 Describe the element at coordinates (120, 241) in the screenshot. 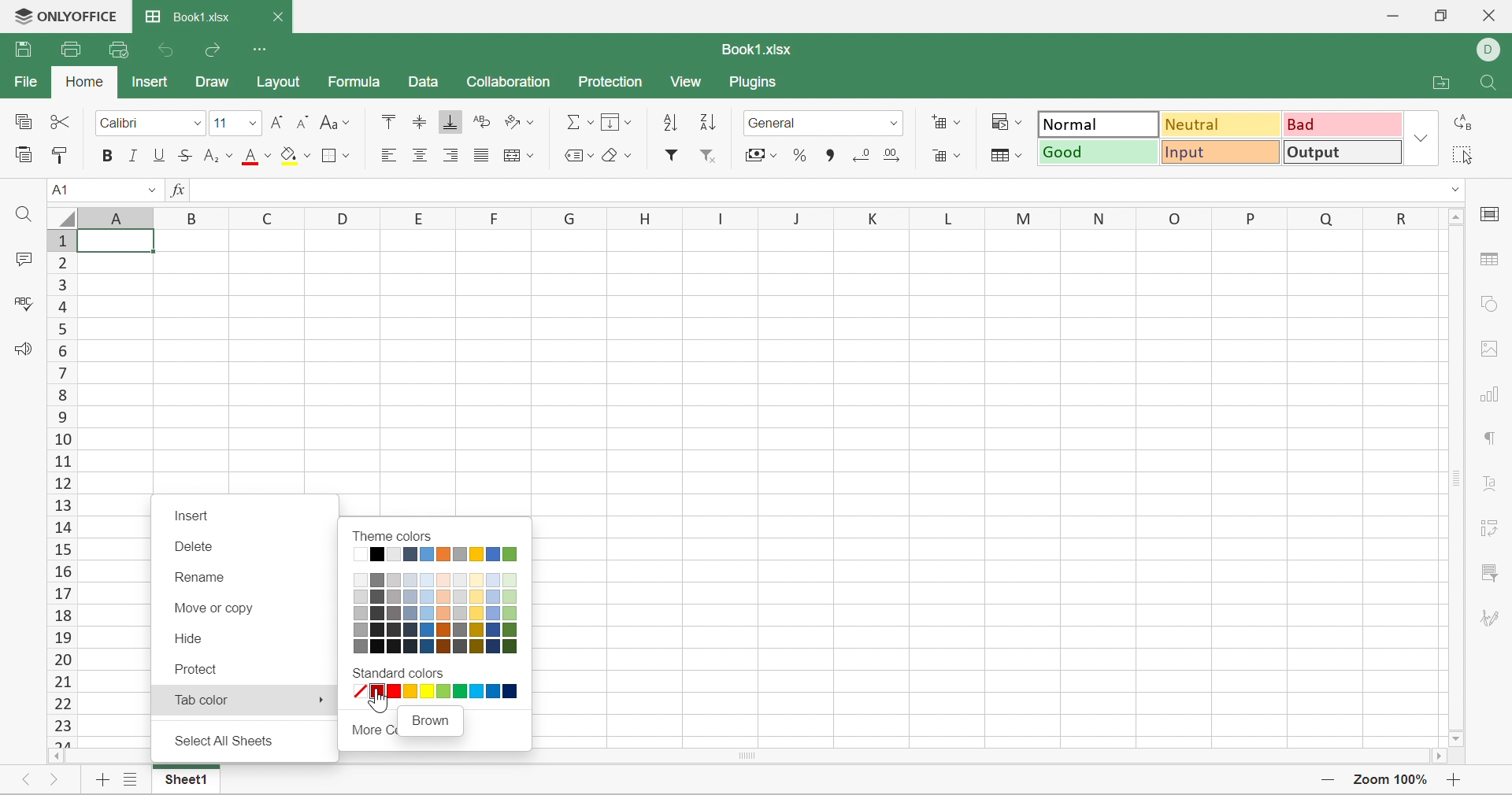

I see `Cell A1 highlighted` at that location.